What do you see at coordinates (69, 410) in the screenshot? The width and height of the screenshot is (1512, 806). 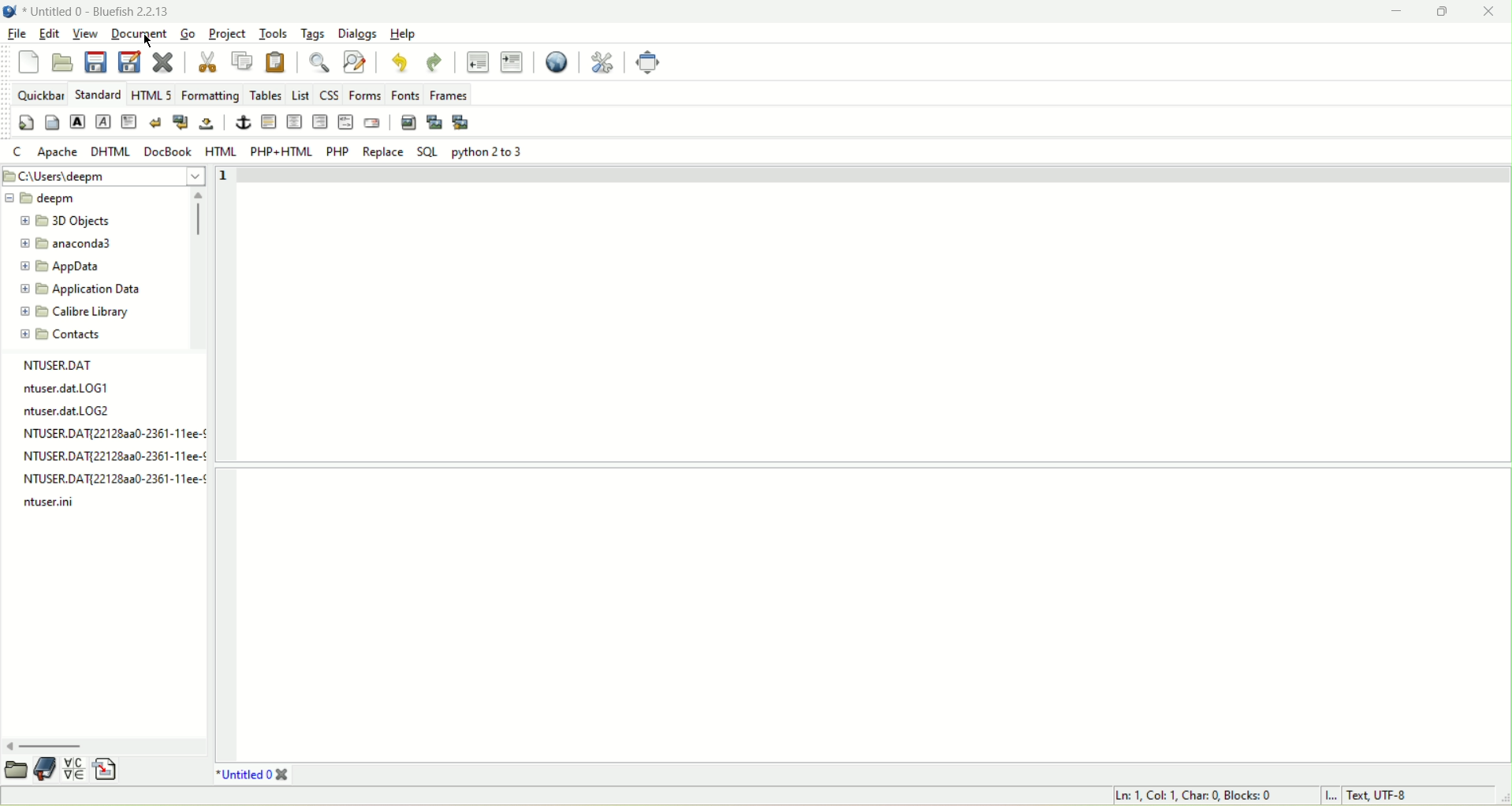 I see `ntuser.dat.LOG2` at bounding box center [69, 410].